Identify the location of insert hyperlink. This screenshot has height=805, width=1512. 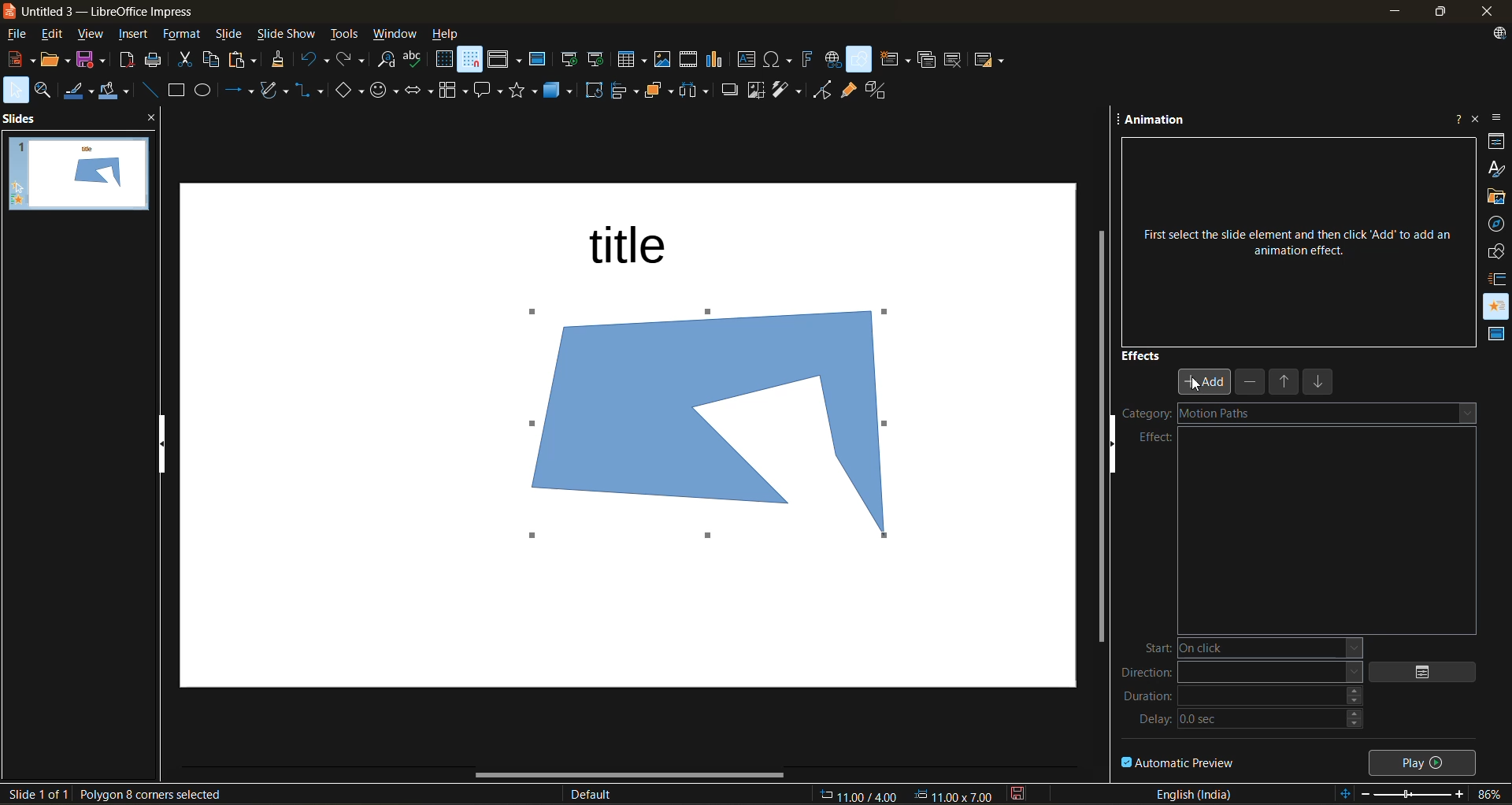
(832, 61).